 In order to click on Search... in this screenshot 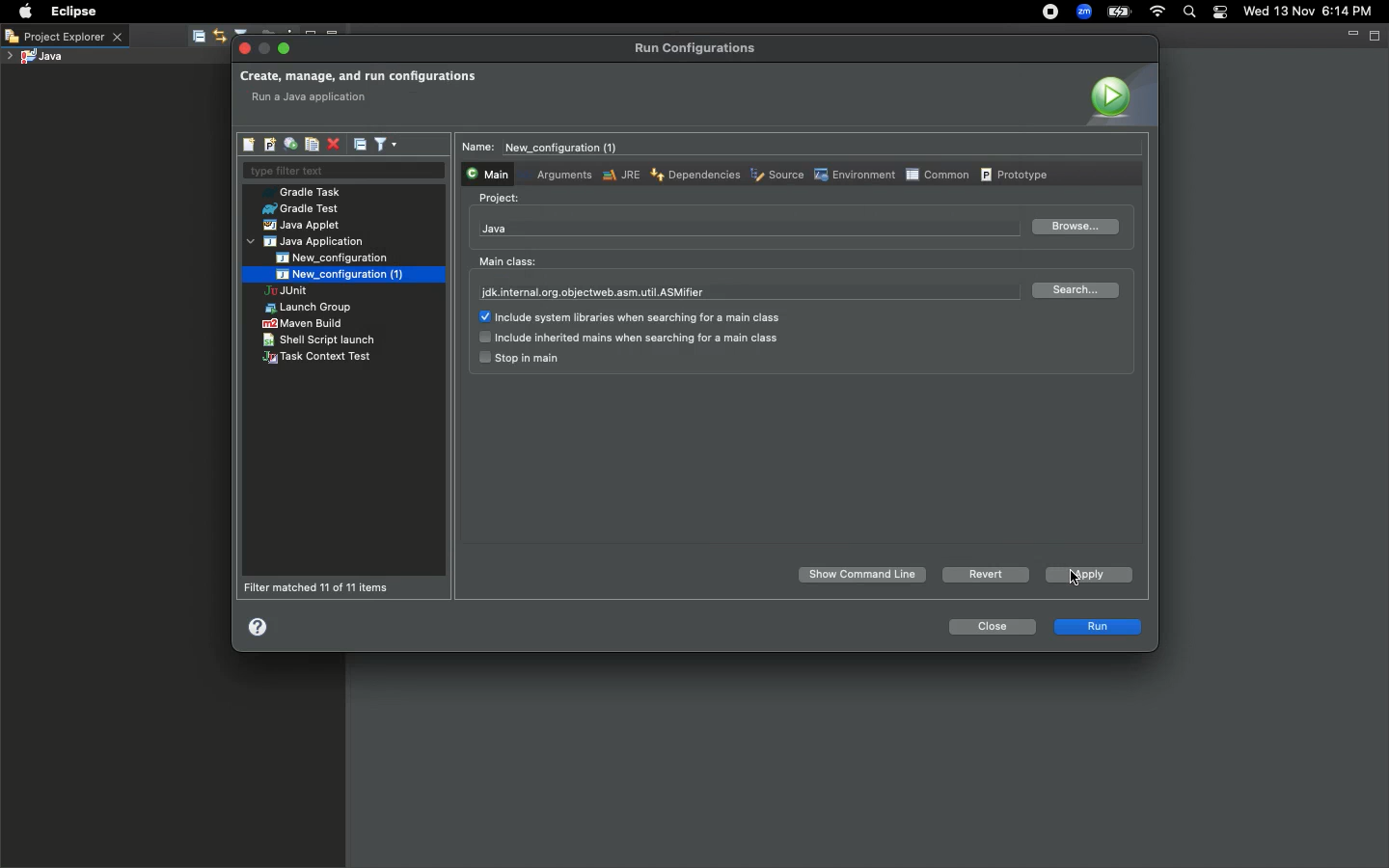, I will do `click(1079, 290)`.